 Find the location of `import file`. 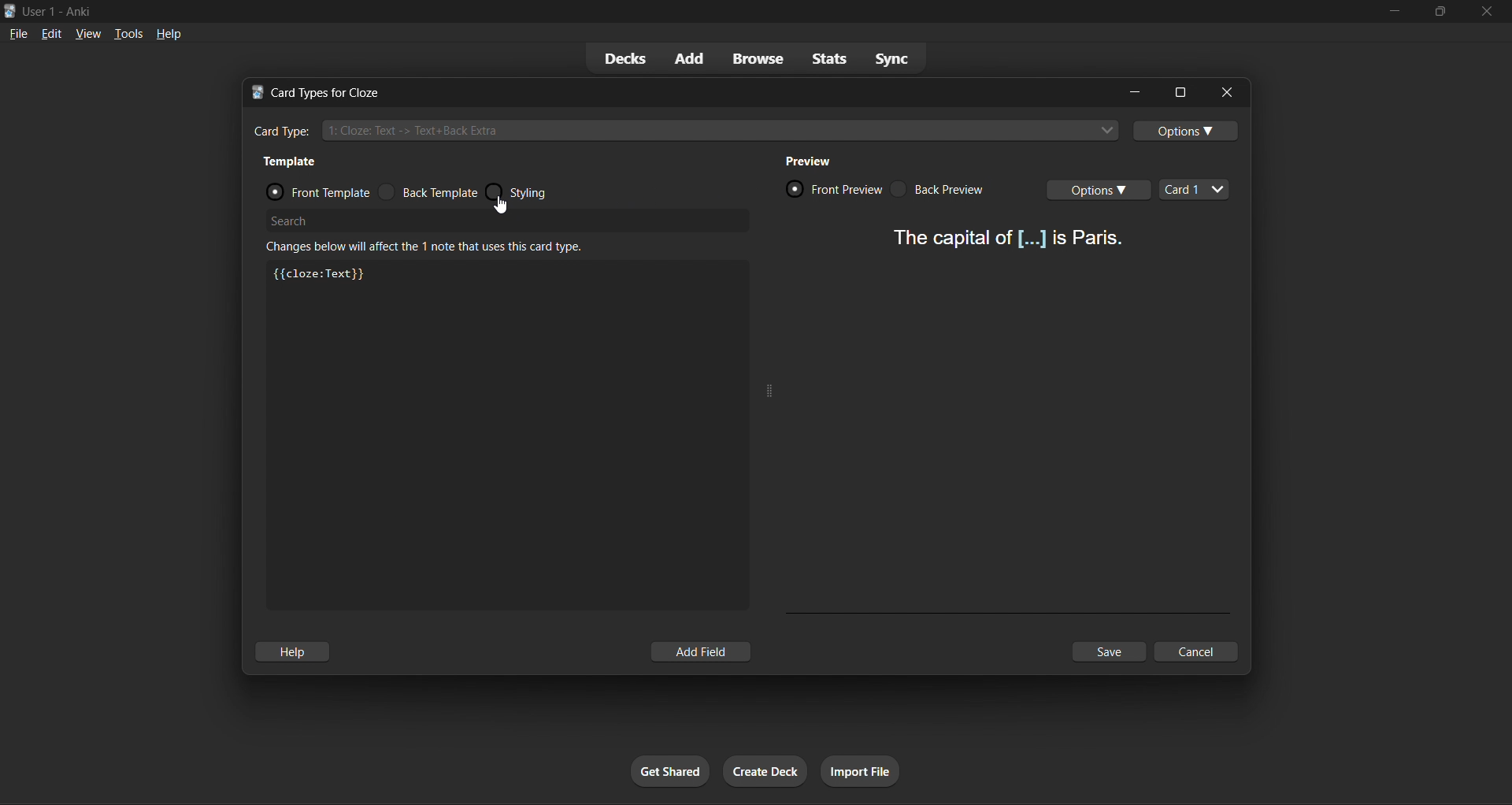

import file is located at coordinates (862, 768).